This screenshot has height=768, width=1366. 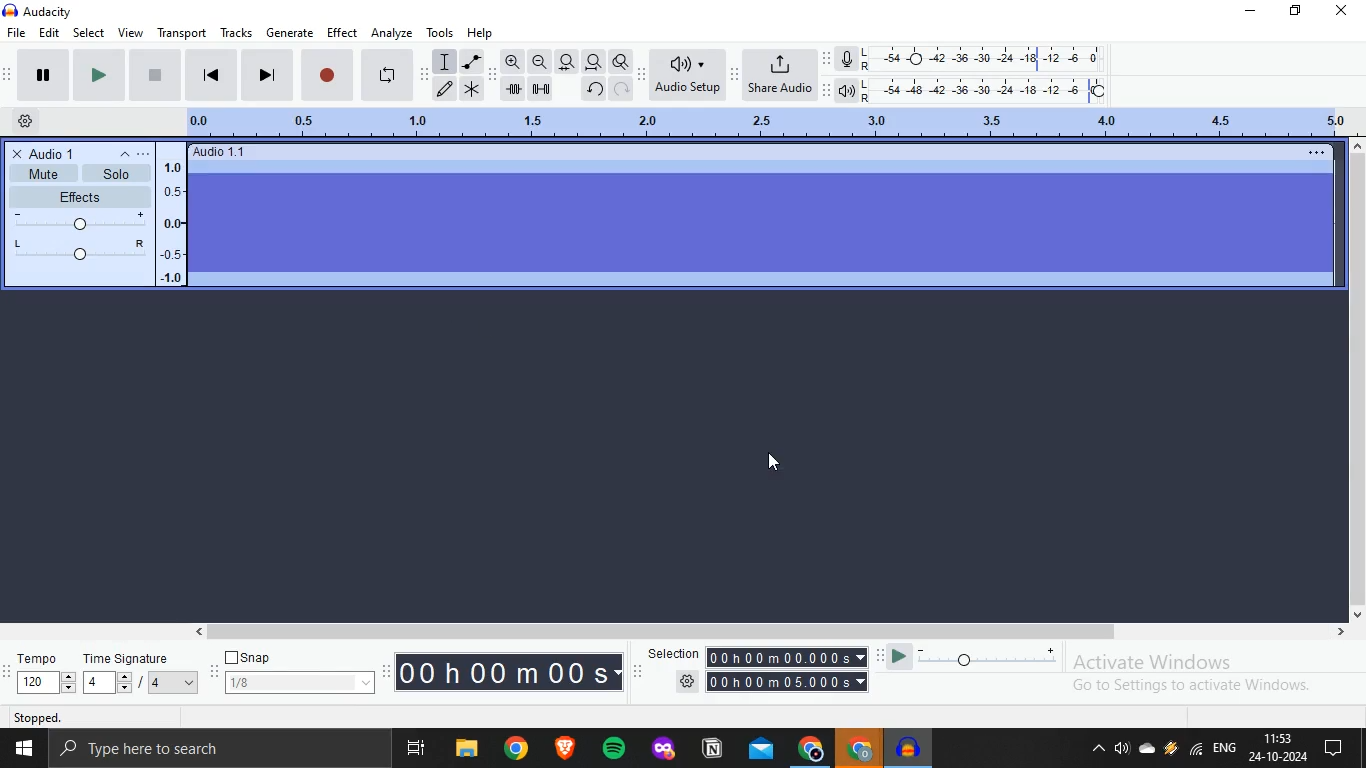 I want to click on Tempo, so click(x=38, y=673).